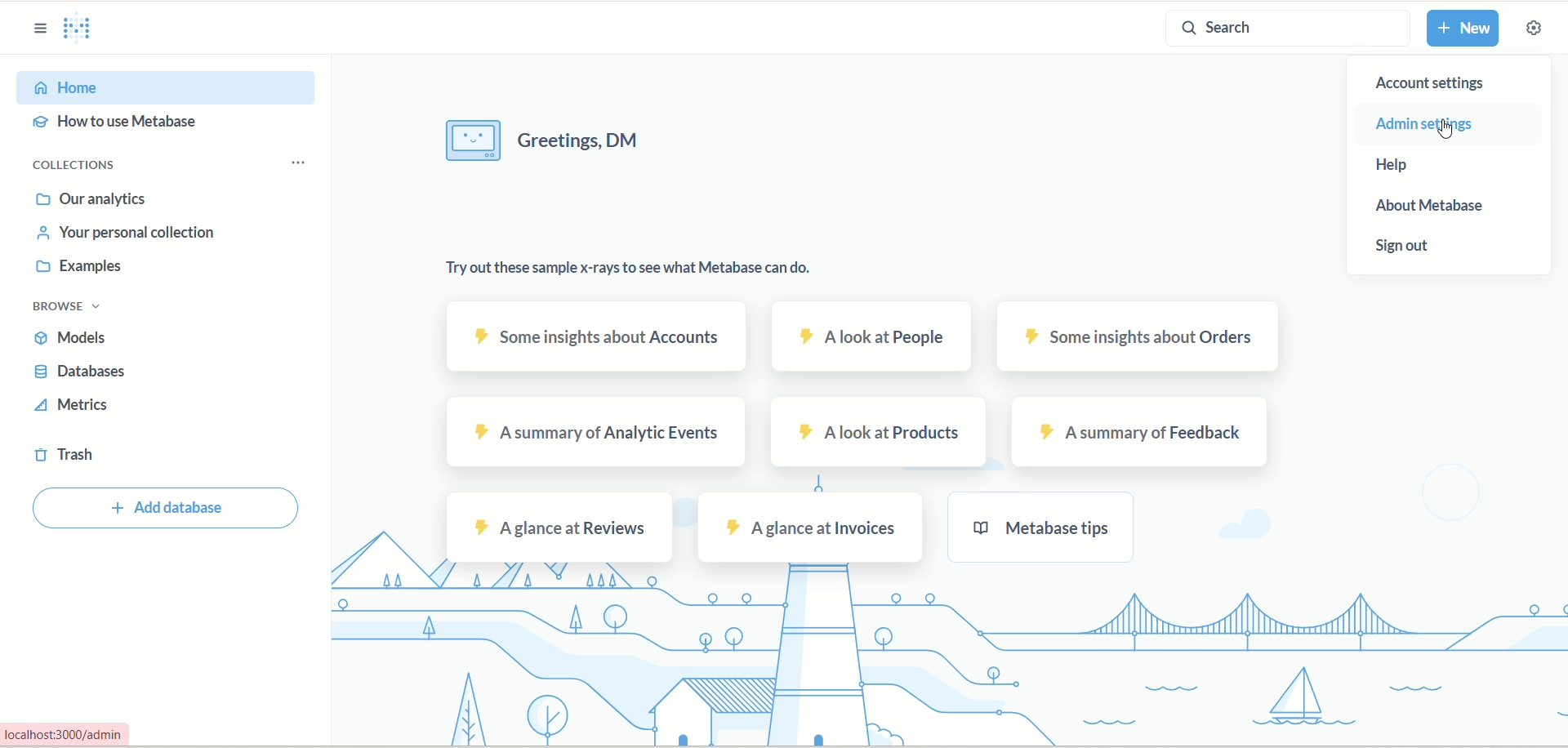 Image resolution: width=1568 pixels, height=748 pixels. What do you see at coordinates (167, 87) in the screenshot?
I see `home` at bounding box center [167, 87].